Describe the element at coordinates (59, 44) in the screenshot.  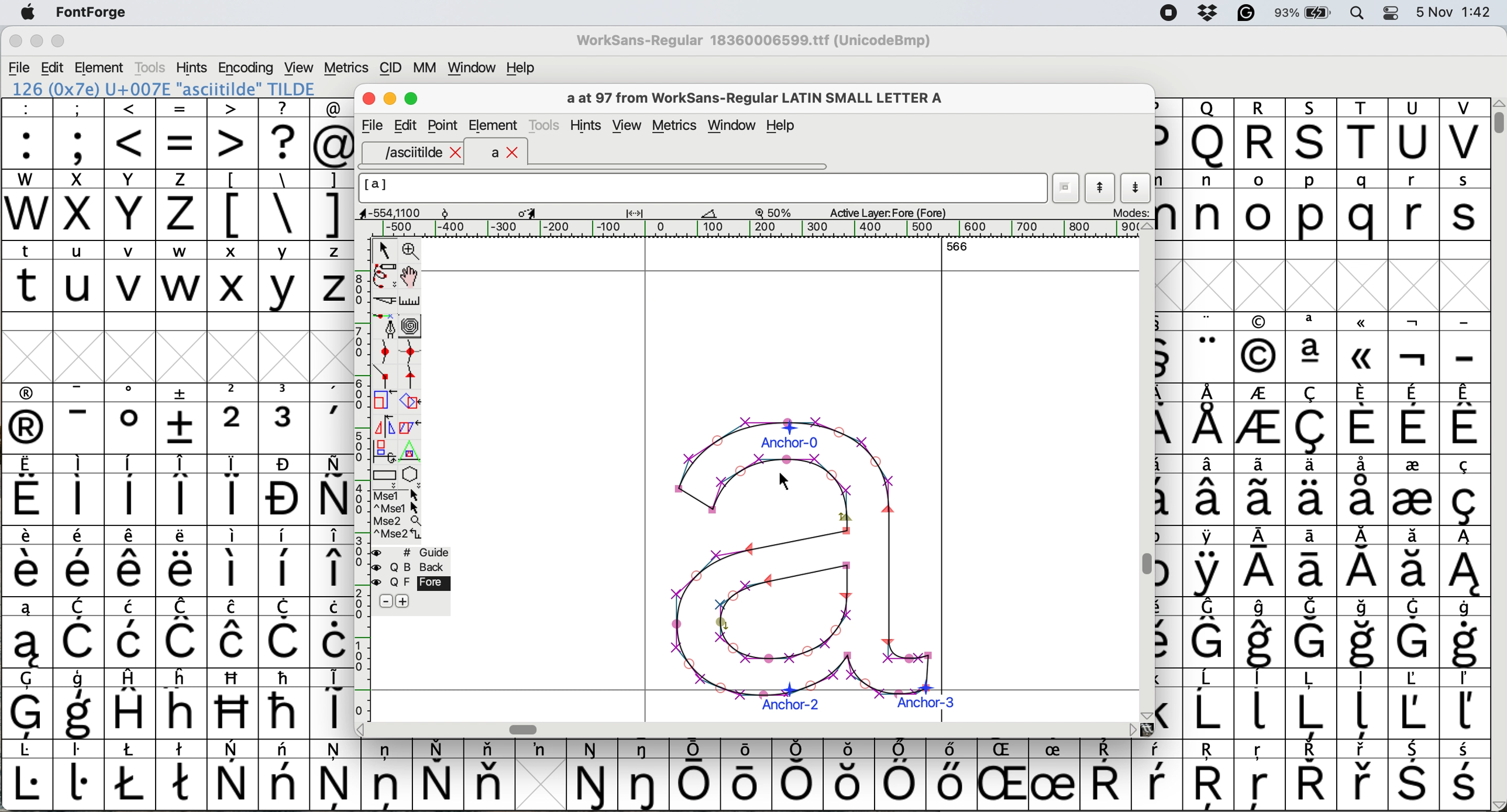
I see `maximise` at that location.